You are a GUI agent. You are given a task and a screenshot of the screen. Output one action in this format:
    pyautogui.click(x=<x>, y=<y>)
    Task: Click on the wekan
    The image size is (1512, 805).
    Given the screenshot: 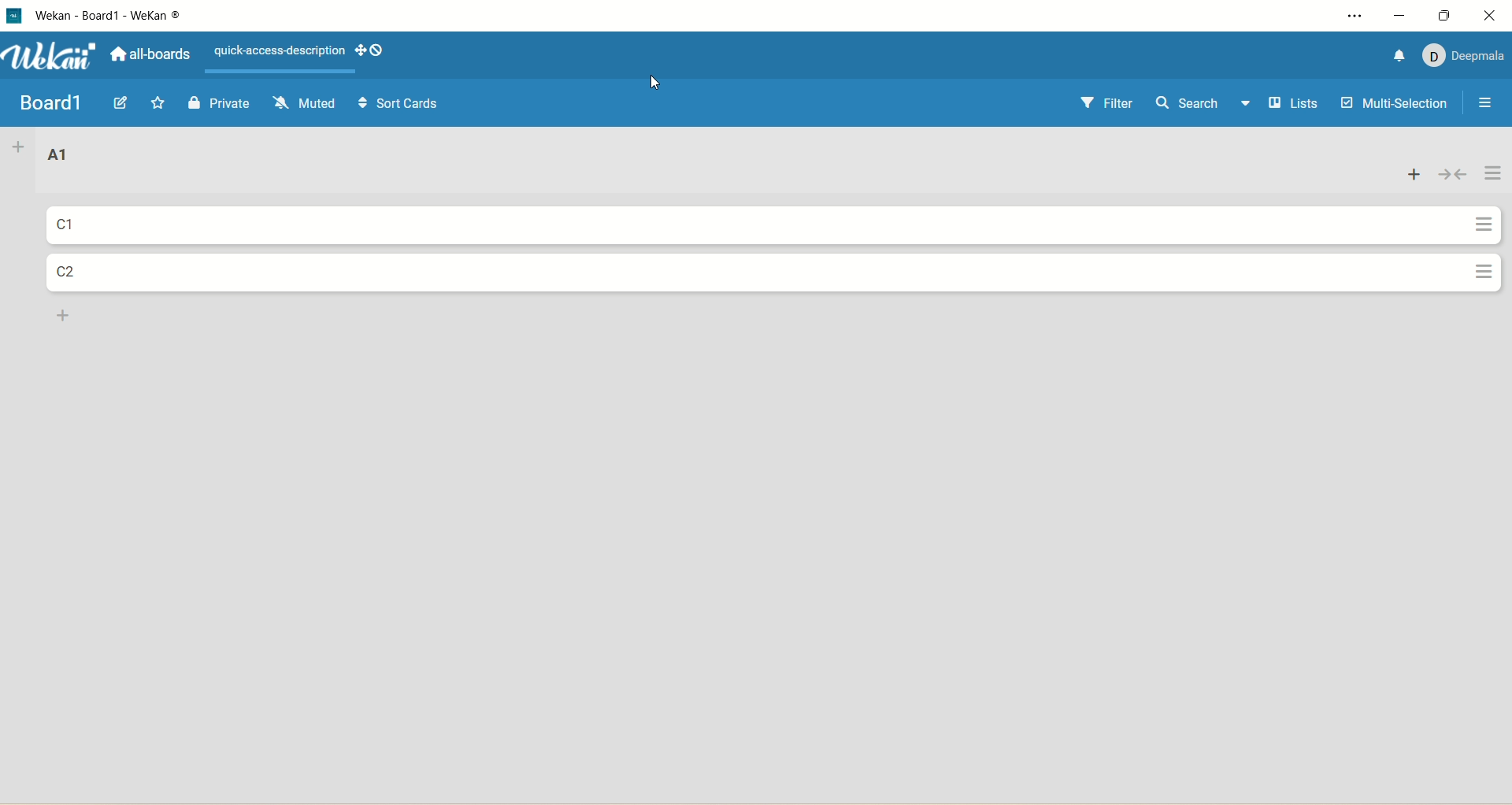 What is the action you would take?
    pyautogui.click(x=53, y=58)
    